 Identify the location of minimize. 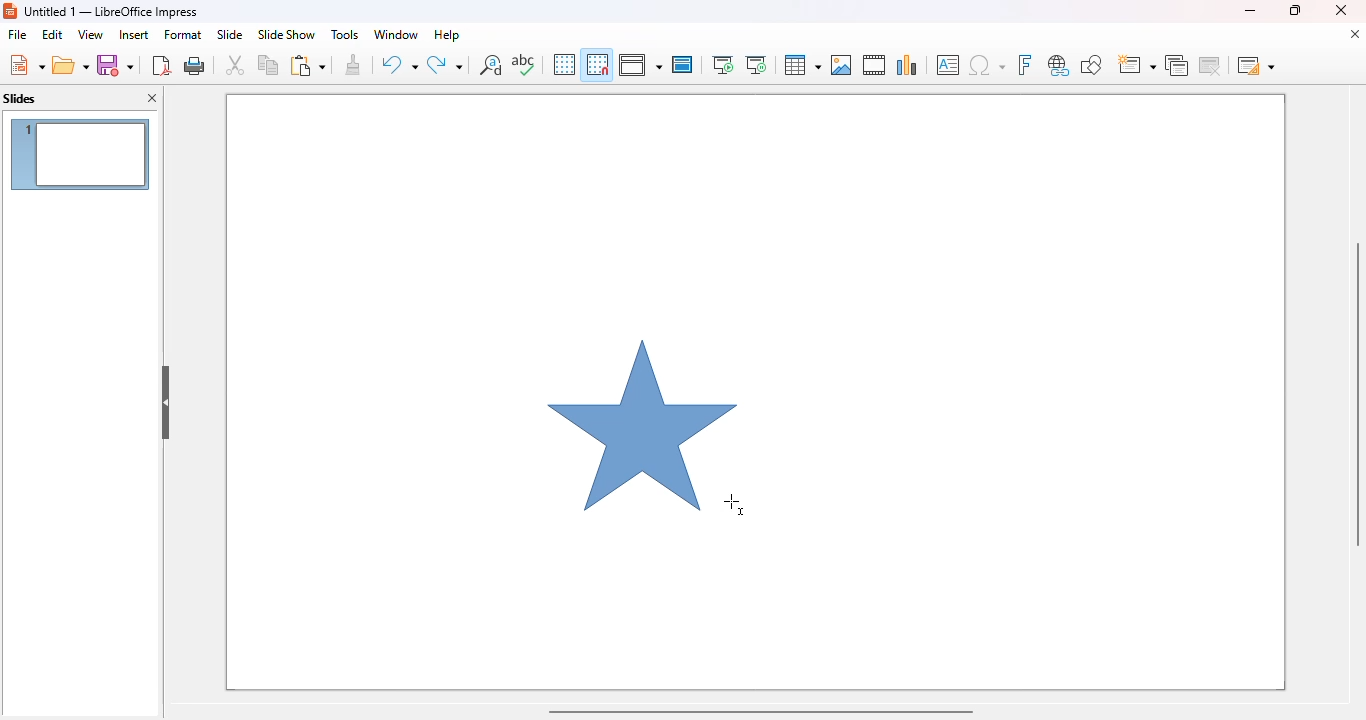
(1249, 10).